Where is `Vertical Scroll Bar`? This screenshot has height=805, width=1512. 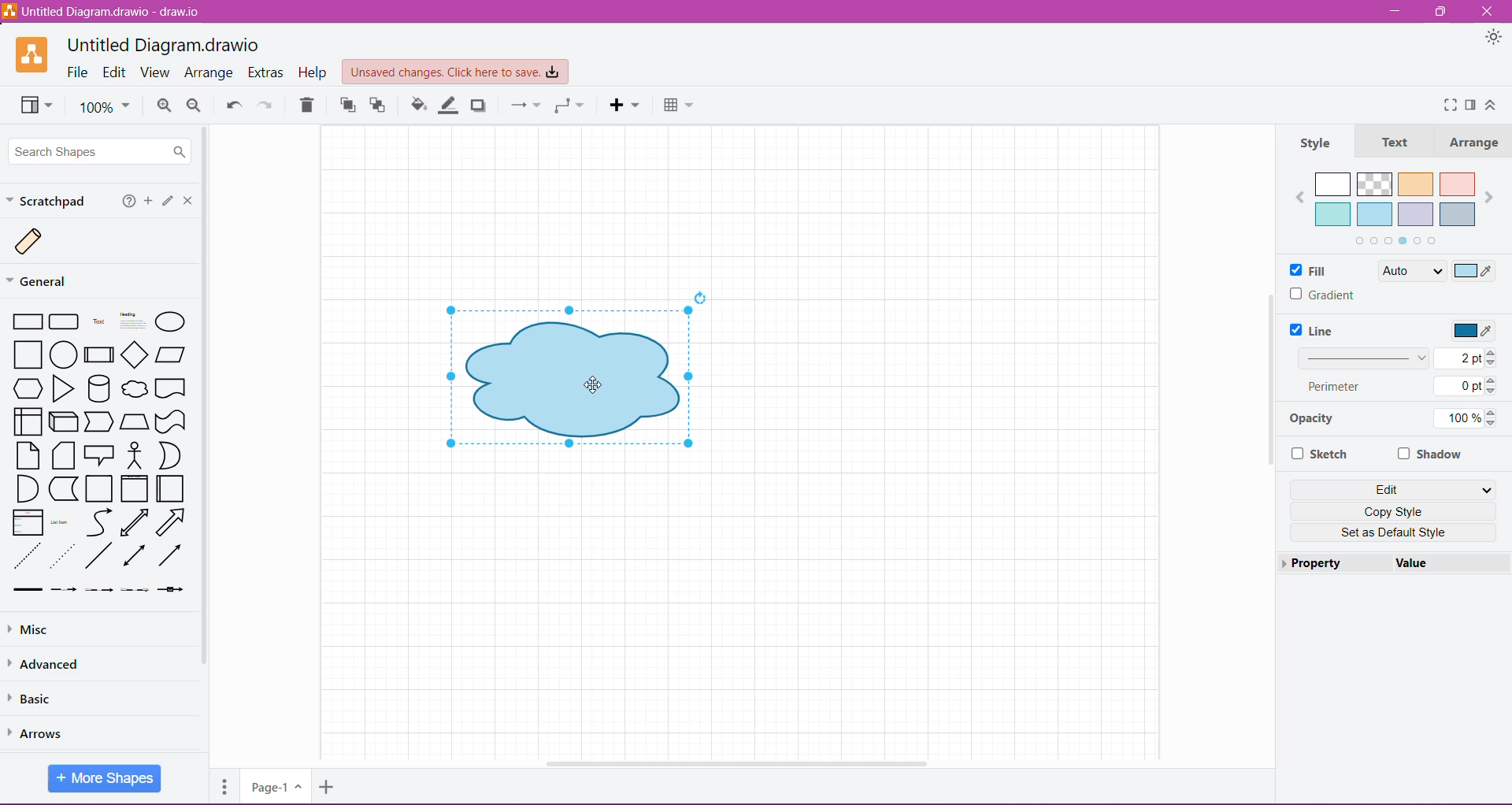
Vertical Scroll Bar is located at coordinates (208, 440).